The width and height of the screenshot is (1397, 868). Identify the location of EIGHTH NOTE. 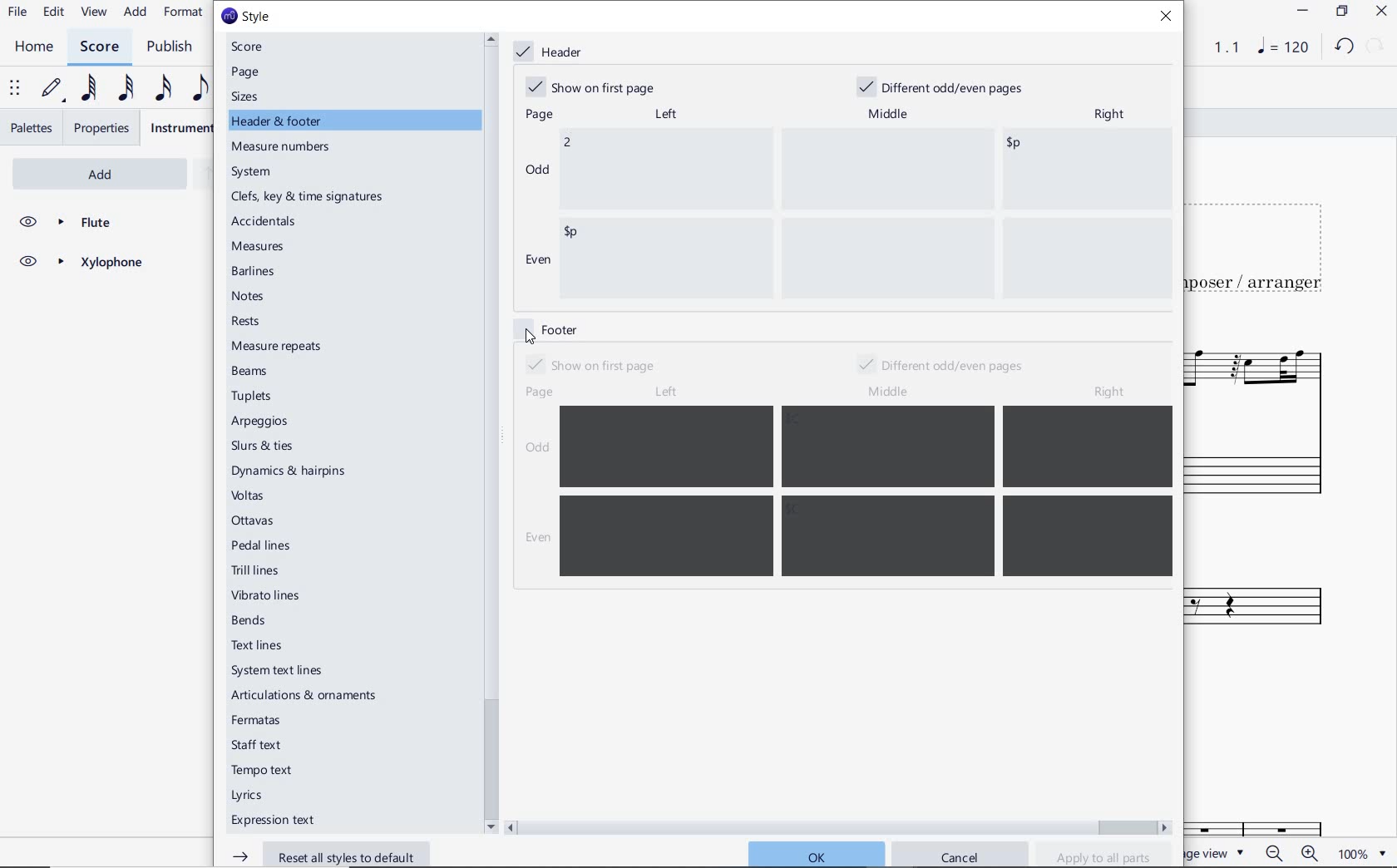
(200, 87).